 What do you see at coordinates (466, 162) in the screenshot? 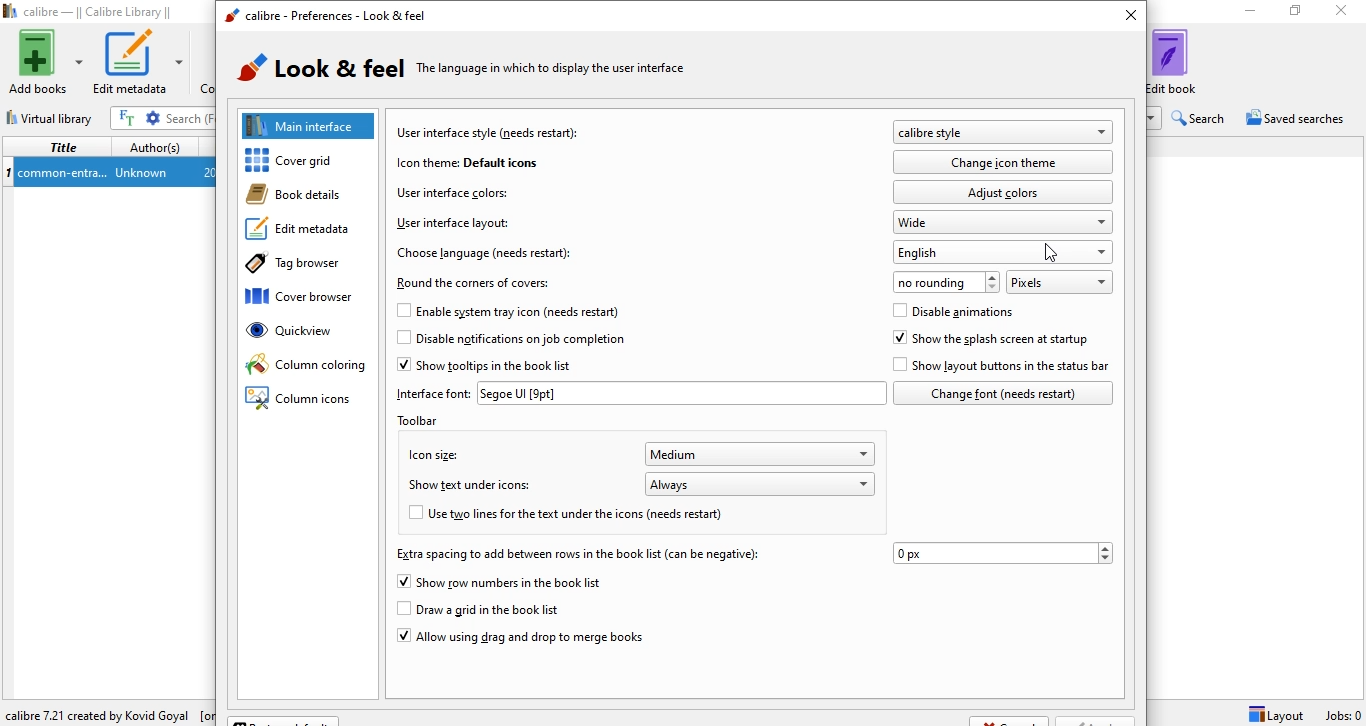
I see `icon theme: default icons` at bounding box center [466, 162].